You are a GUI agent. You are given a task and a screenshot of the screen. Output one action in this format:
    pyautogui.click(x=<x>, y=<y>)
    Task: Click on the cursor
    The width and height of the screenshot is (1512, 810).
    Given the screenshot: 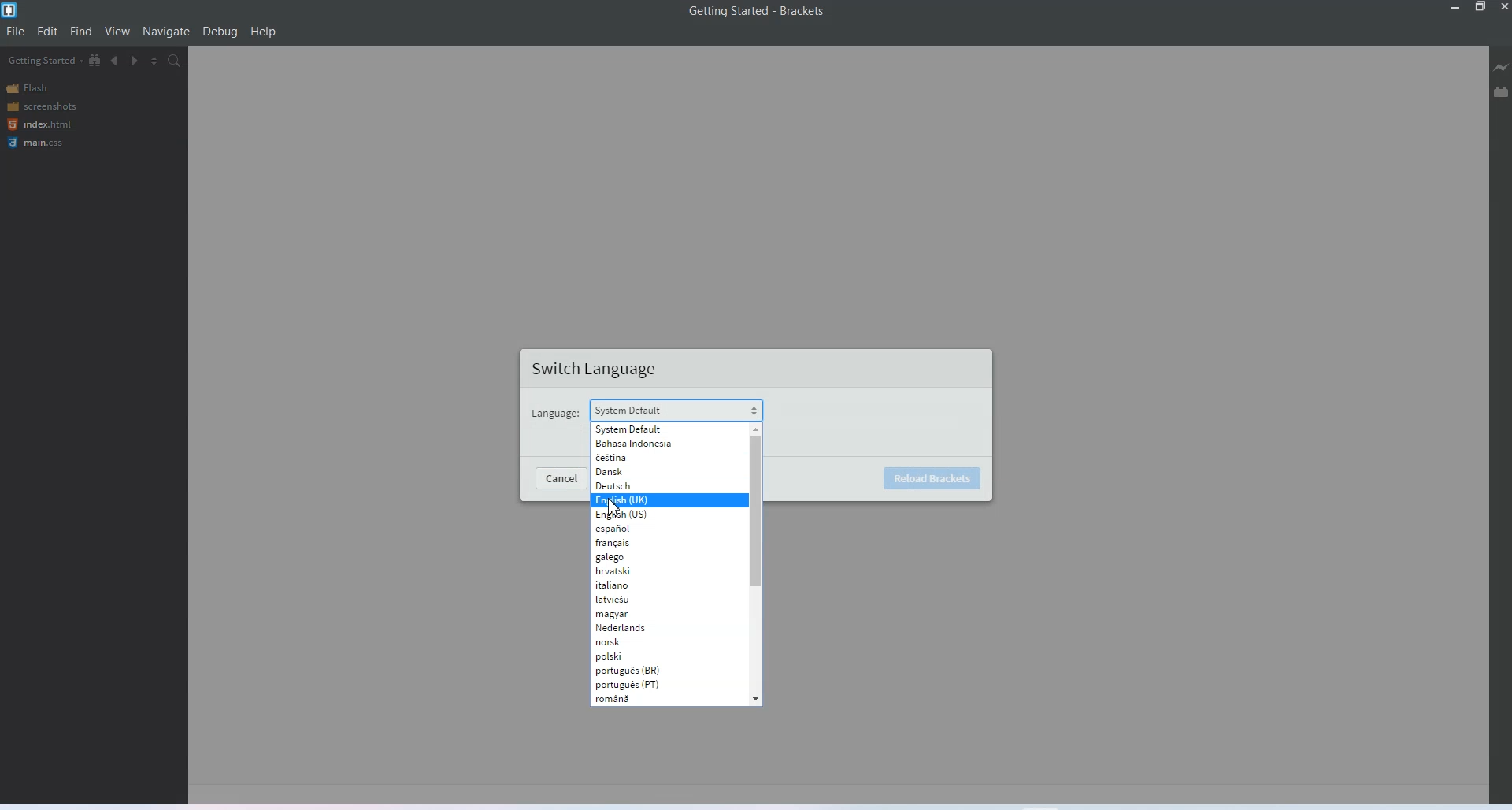 What is the action you would take?
    pyautogui.click(x=614, y=507)
    